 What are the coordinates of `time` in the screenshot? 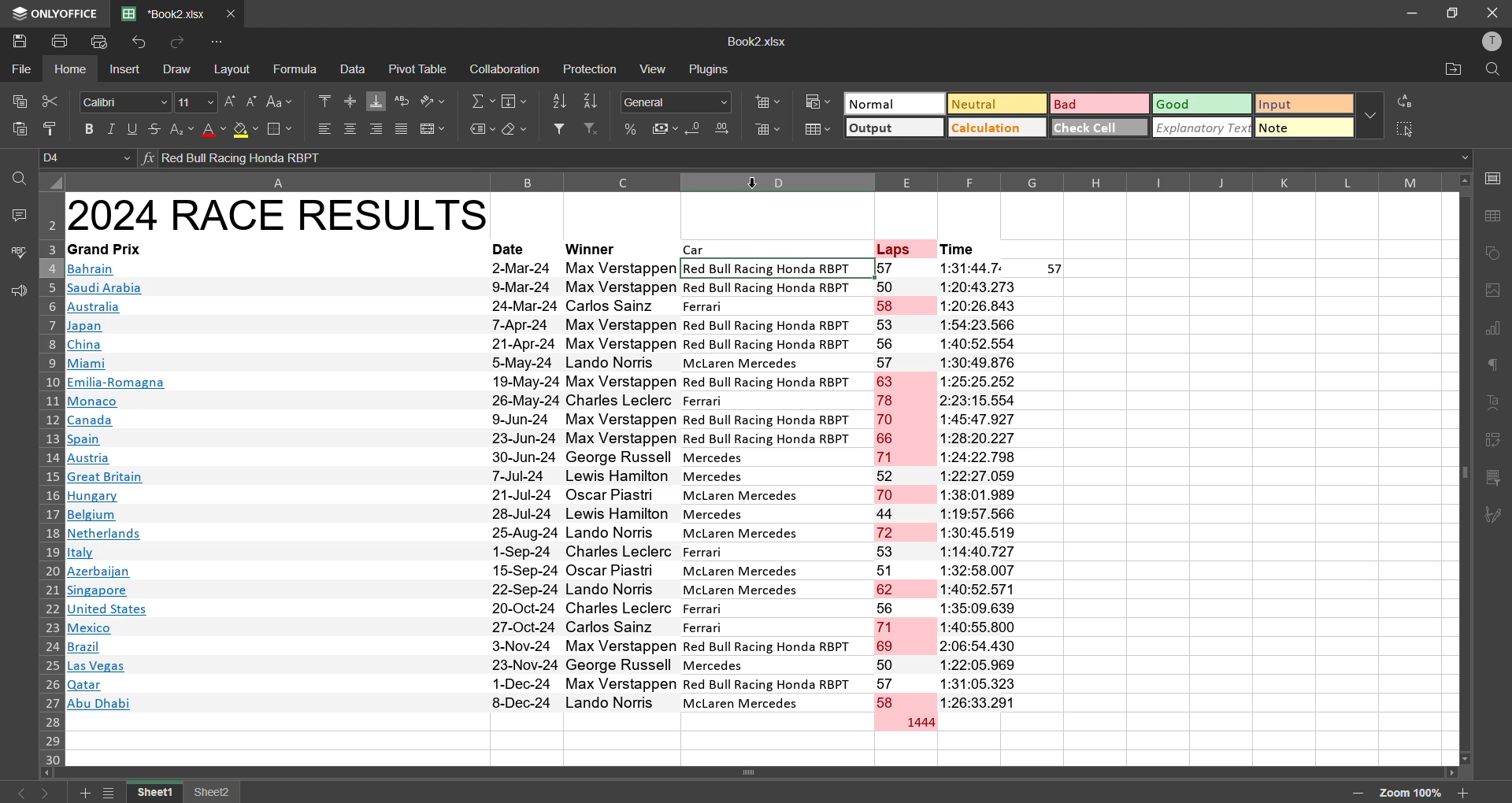 It's located at (959, 250).